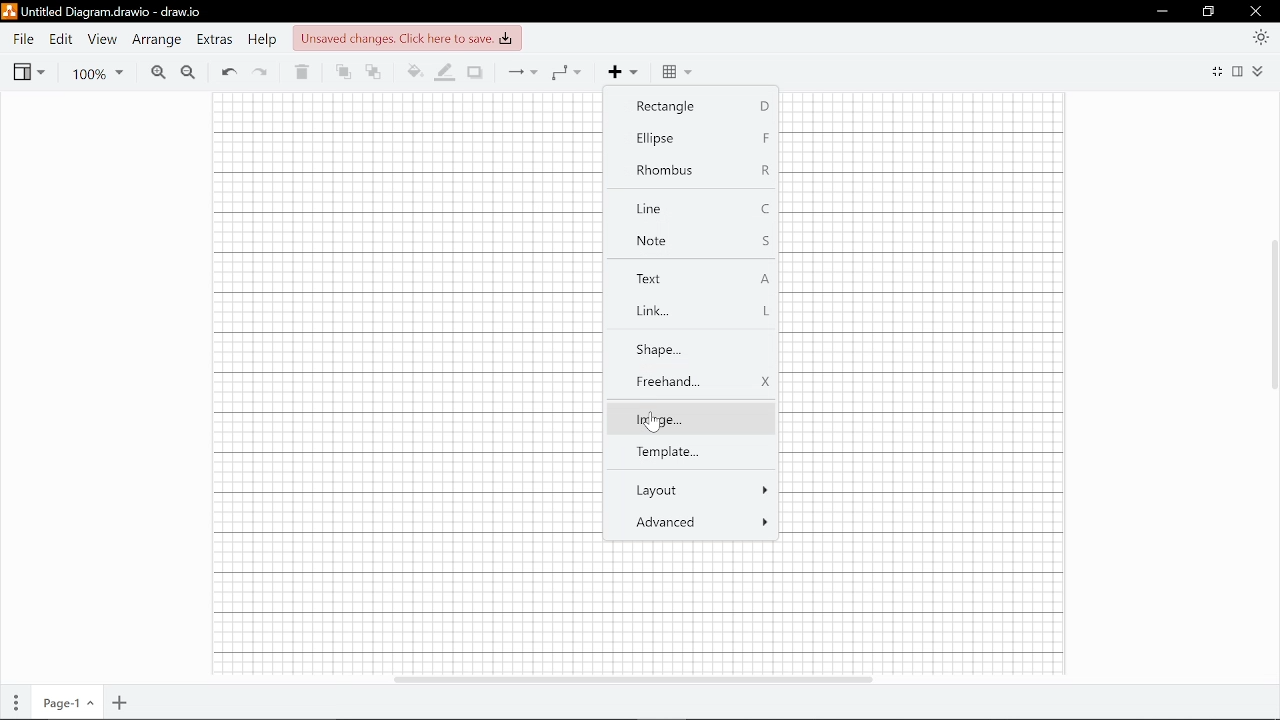  Describe the element at coordinates (565, 74) in the screenshot. I see `Waypoints` at that location.